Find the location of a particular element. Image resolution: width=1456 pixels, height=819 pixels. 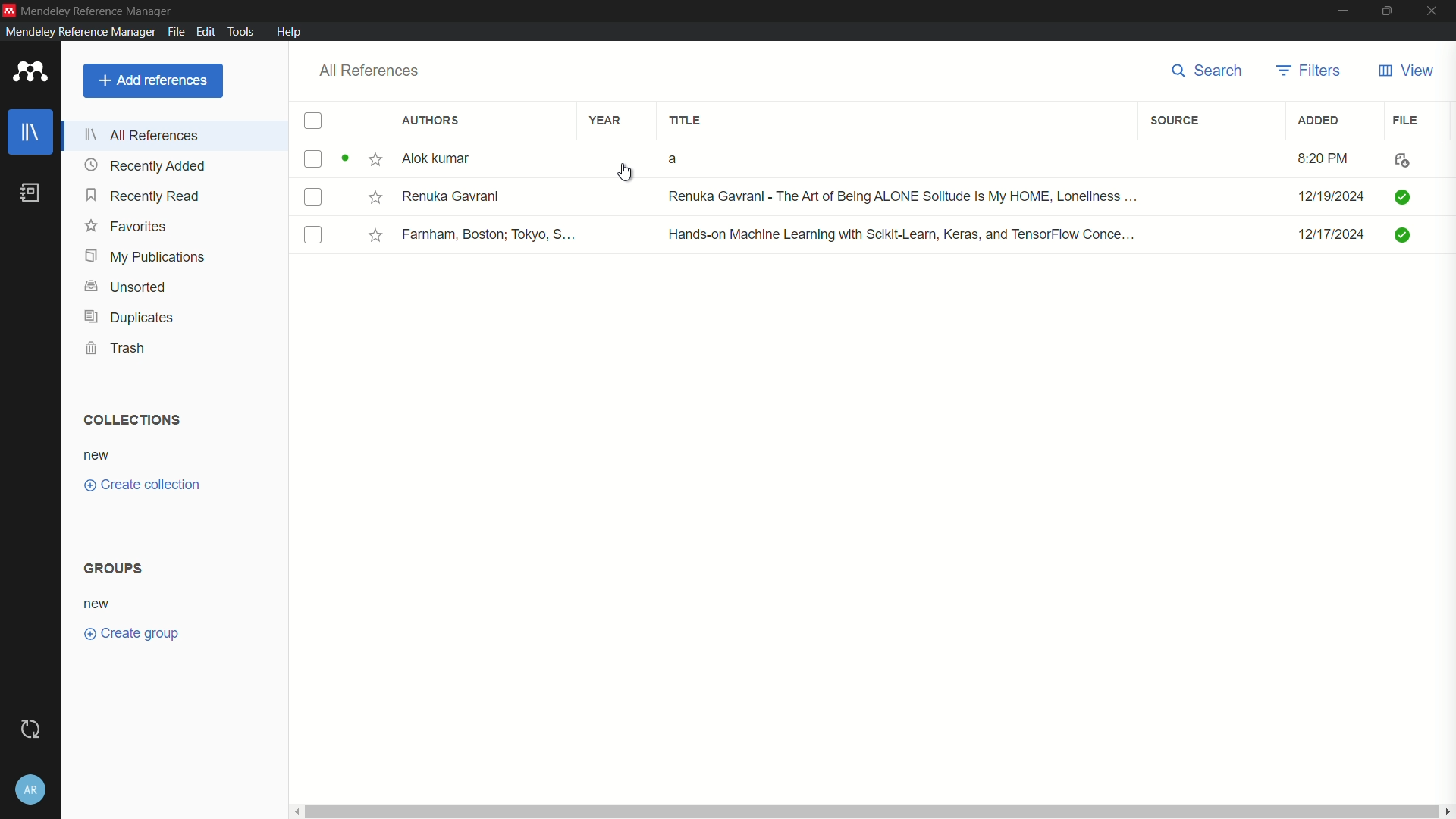

add reference is located at coordinates (152, 80).